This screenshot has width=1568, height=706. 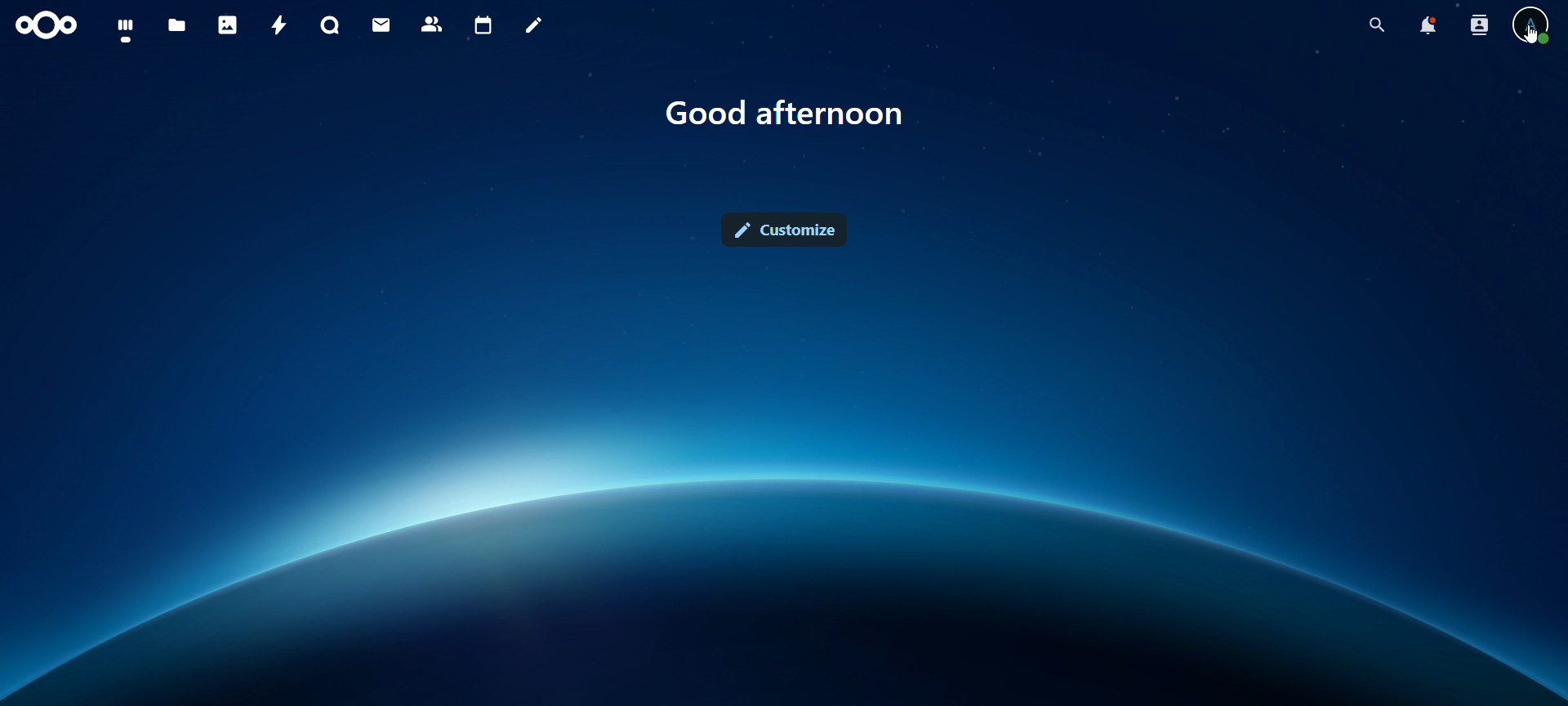 What do you see at coordinates (533, 26) in the screenshot?
I see `notes` at bounding box center [533, 26].